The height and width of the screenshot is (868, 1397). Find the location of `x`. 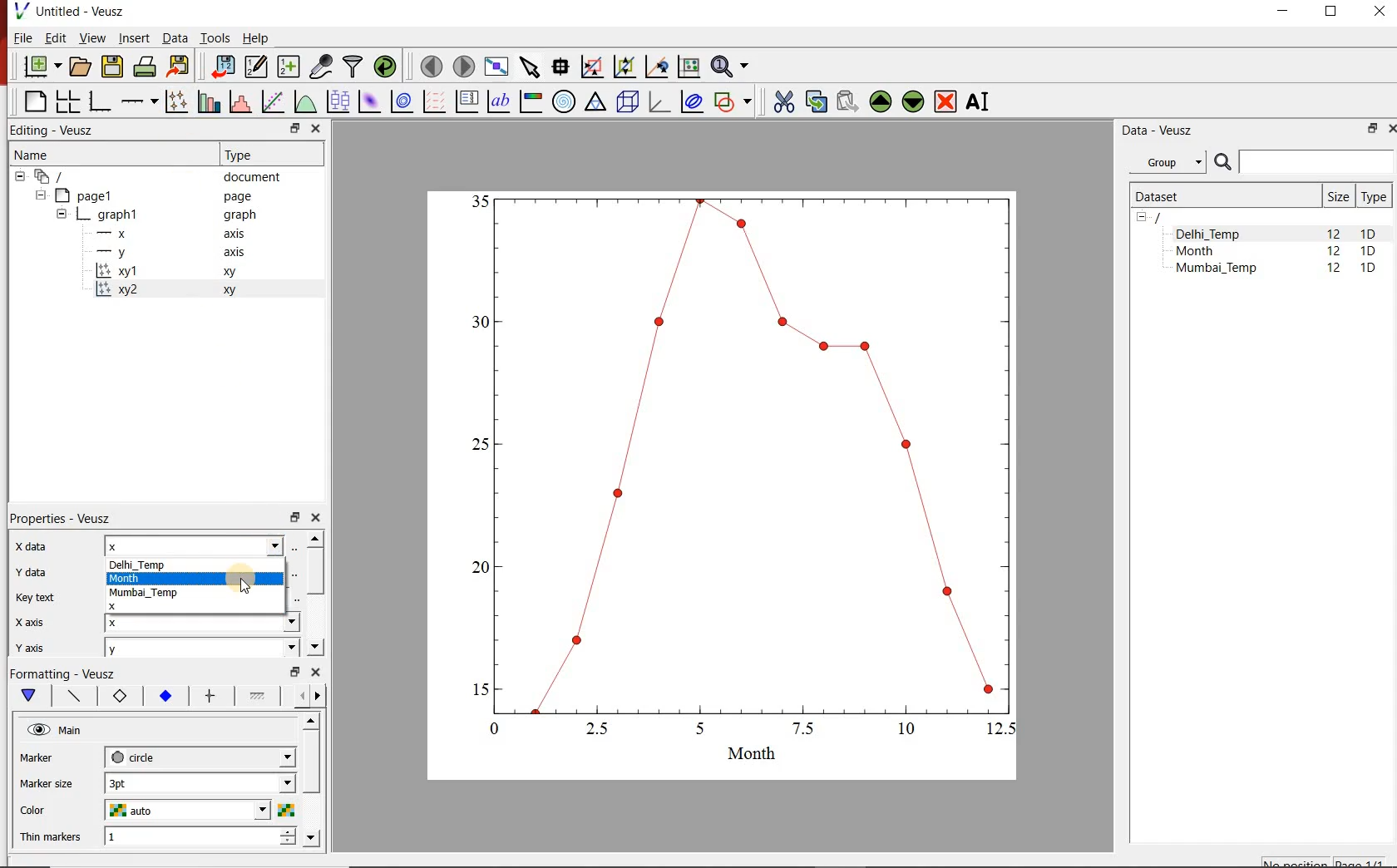

x is located at coordinates (197, 606).